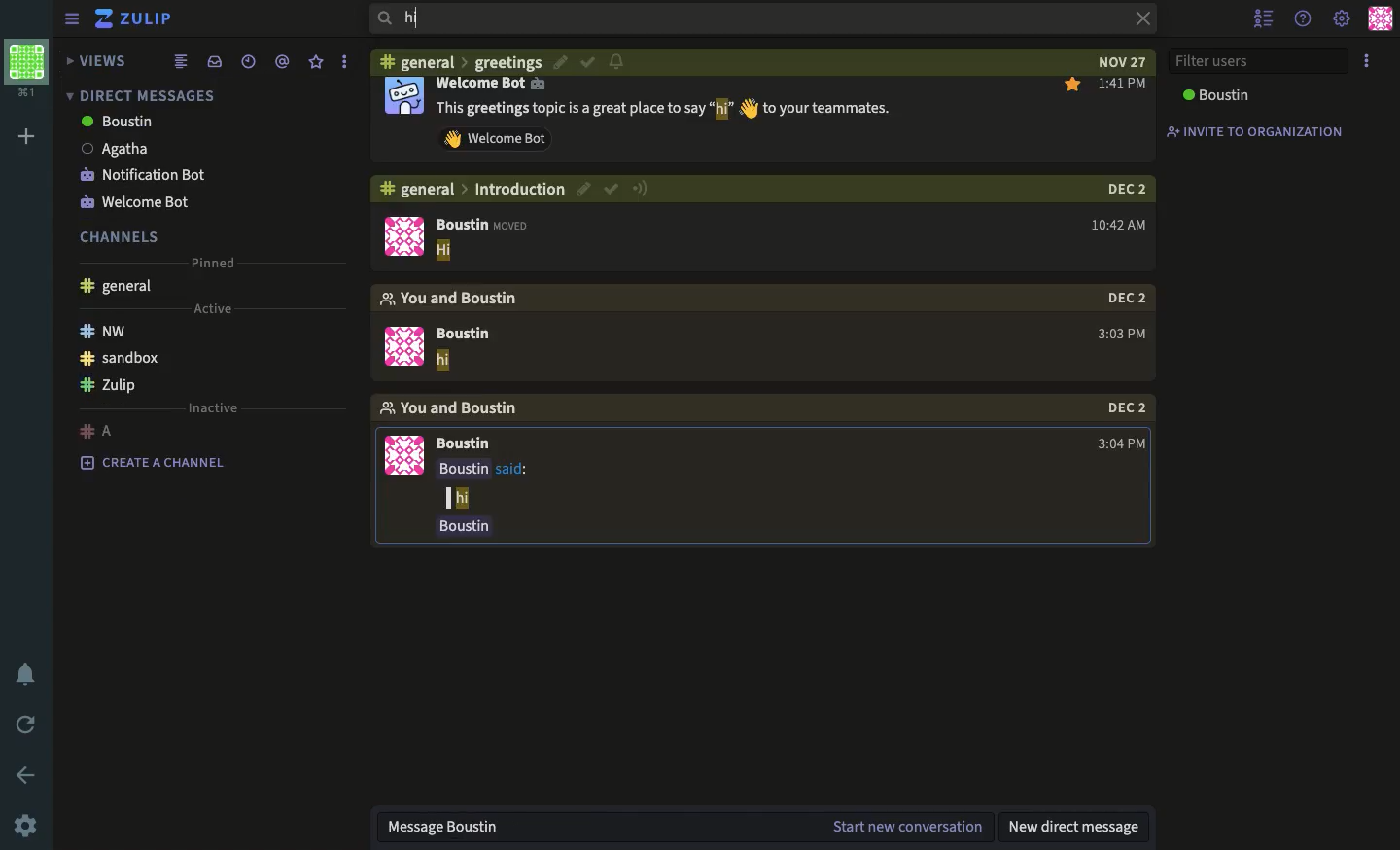 This screenshot has width=1400, height=850. What do you see at coordinates (214, 60) in the screenshot?
I see `inbox` at bounding box center [214, 60].